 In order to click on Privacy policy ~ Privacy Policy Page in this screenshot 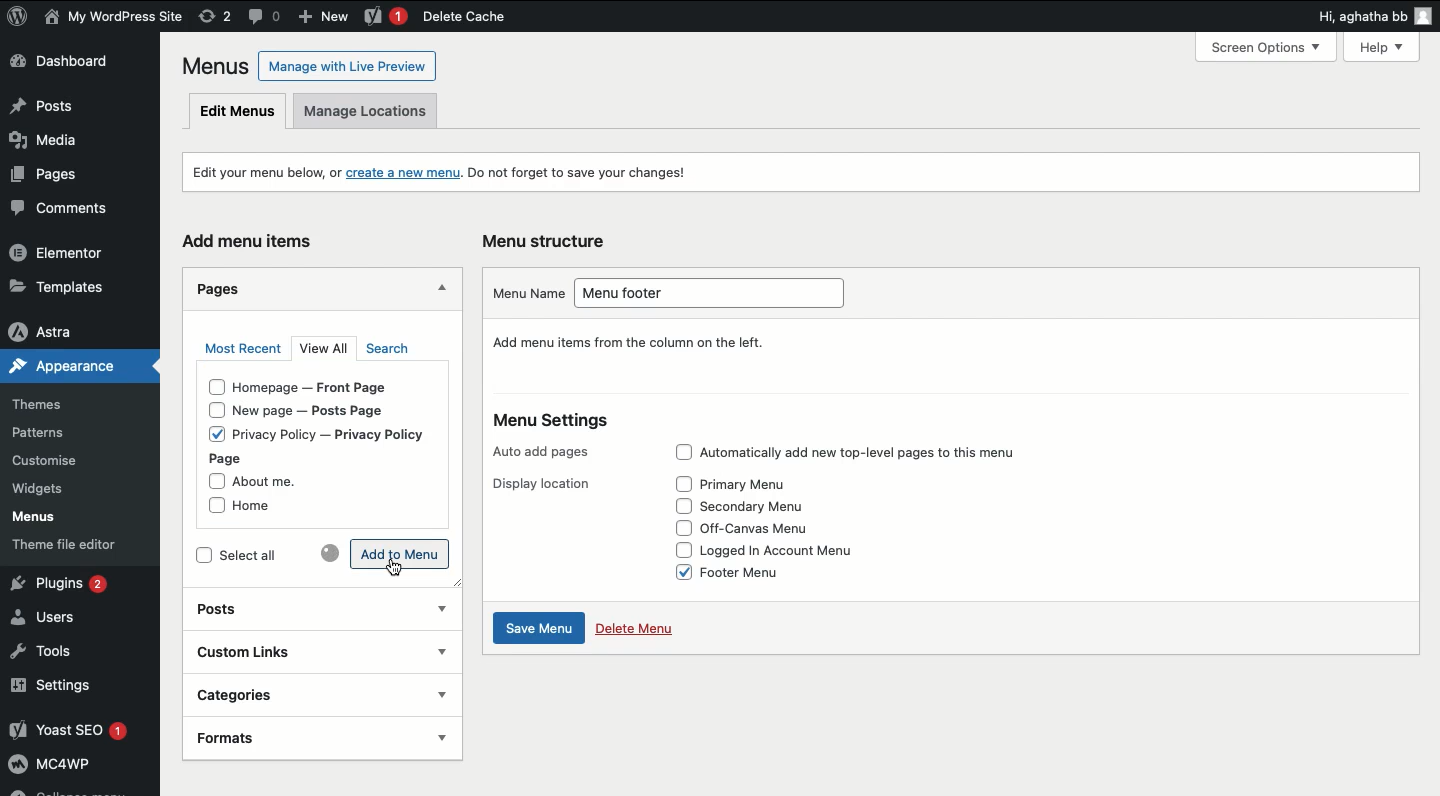, I will do `click(346, 434)`.